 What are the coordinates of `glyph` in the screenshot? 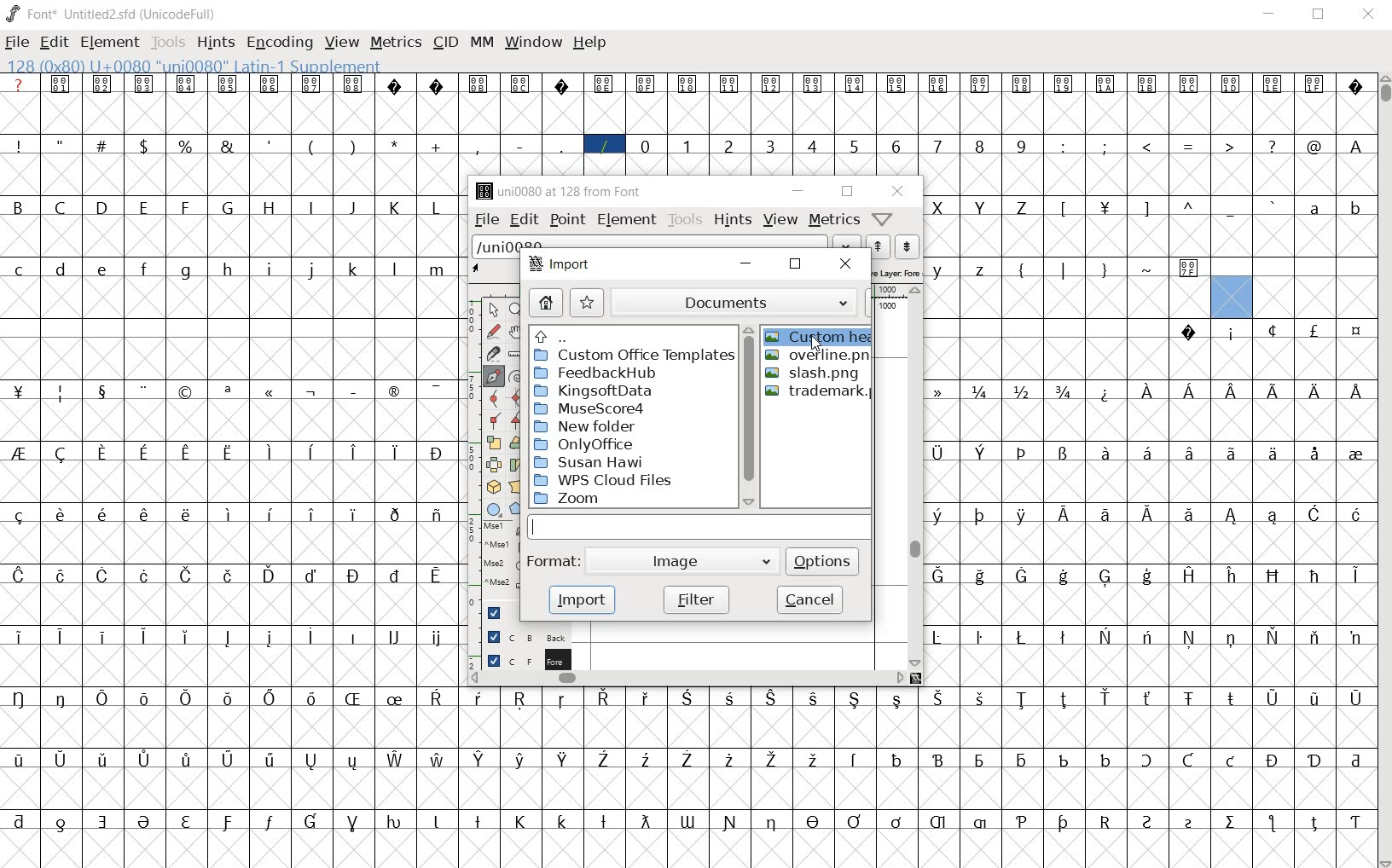 It's located at (1147, 576).